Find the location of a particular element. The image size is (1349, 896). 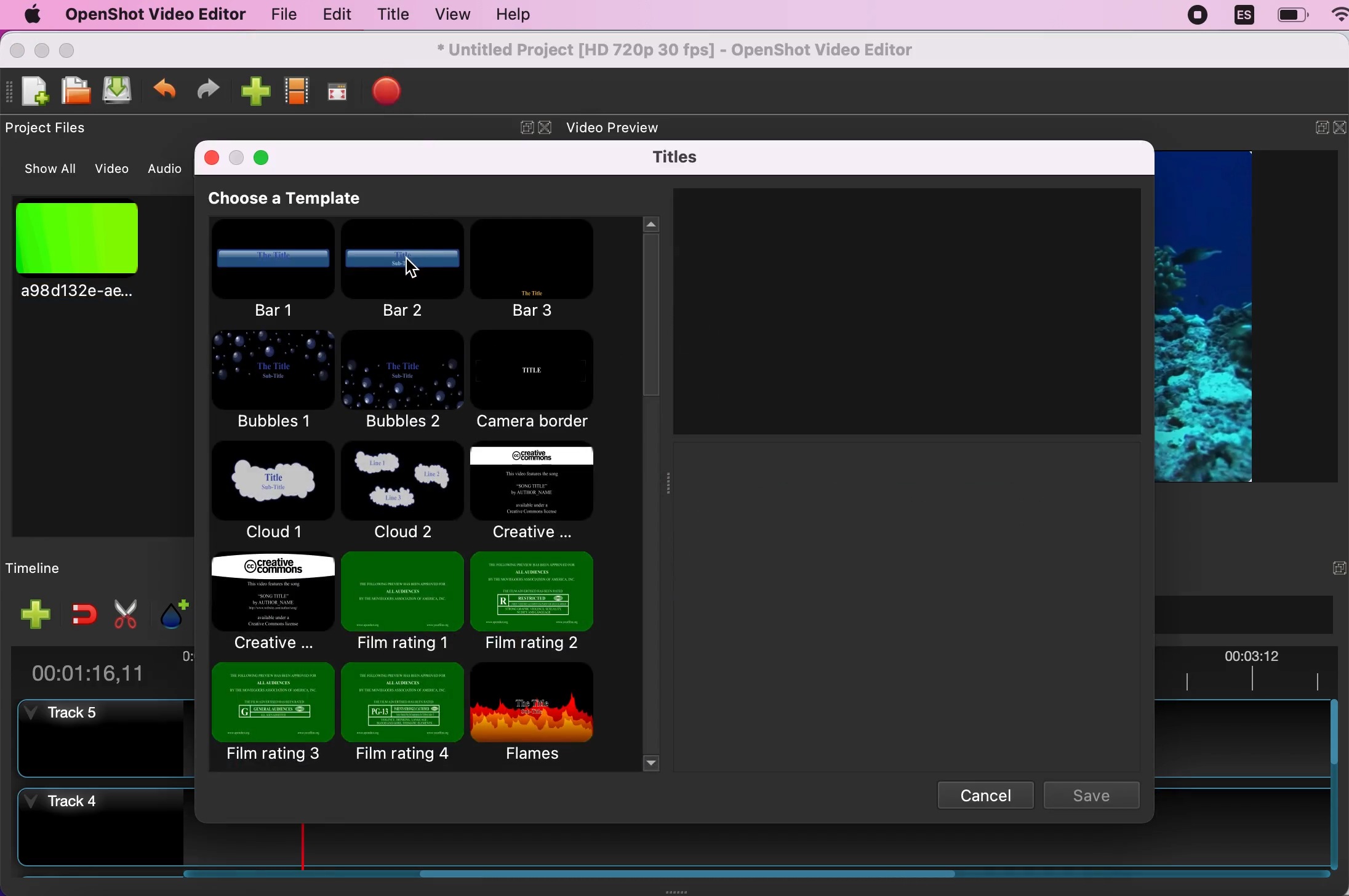

film ratin 1 is located at coordinates (401, 602).